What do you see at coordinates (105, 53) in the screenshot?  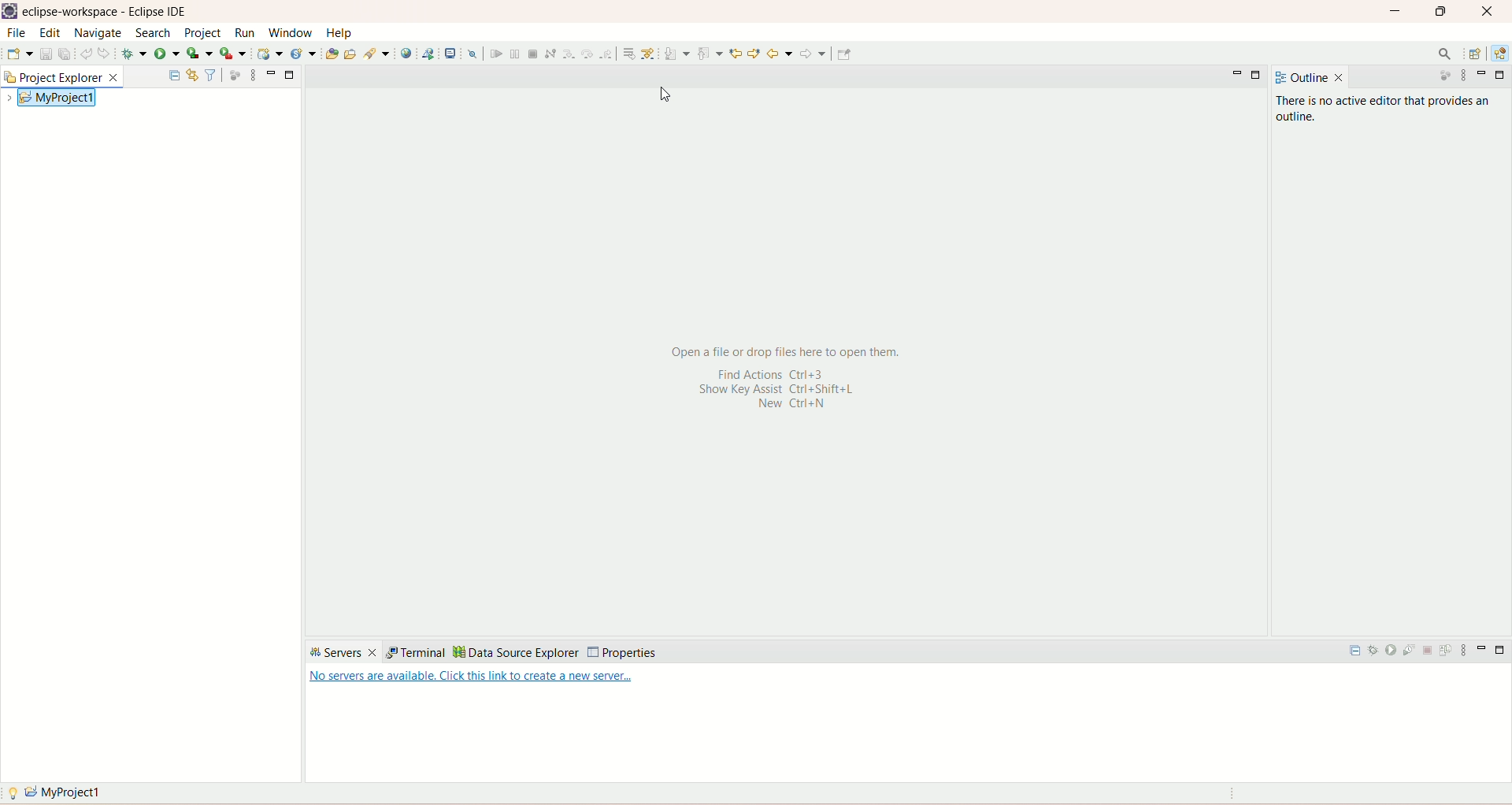 I see `redo` at bounding box center [105, 53].